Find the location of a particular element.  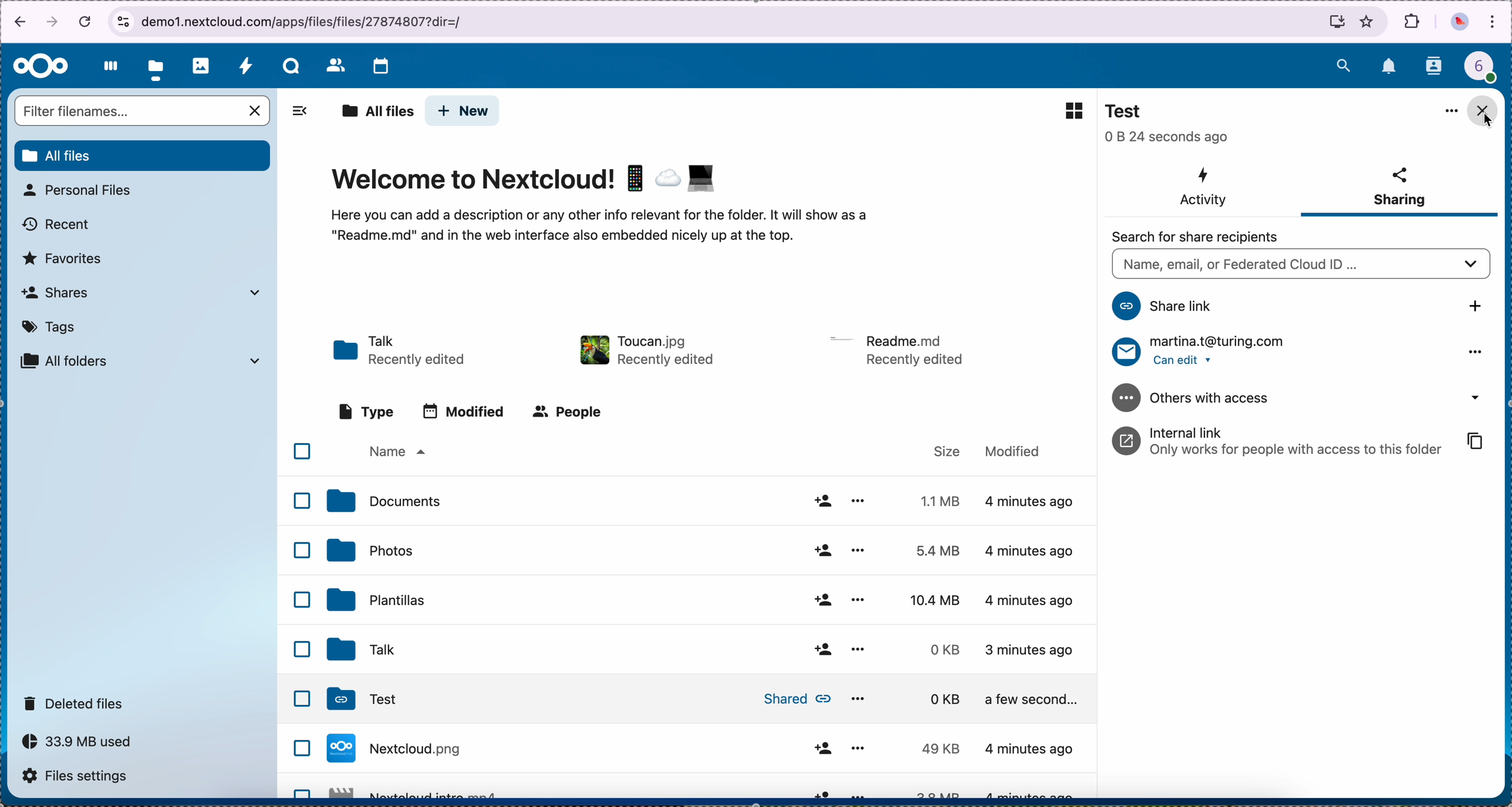

navigate foward is located at coordinates (53, 23).